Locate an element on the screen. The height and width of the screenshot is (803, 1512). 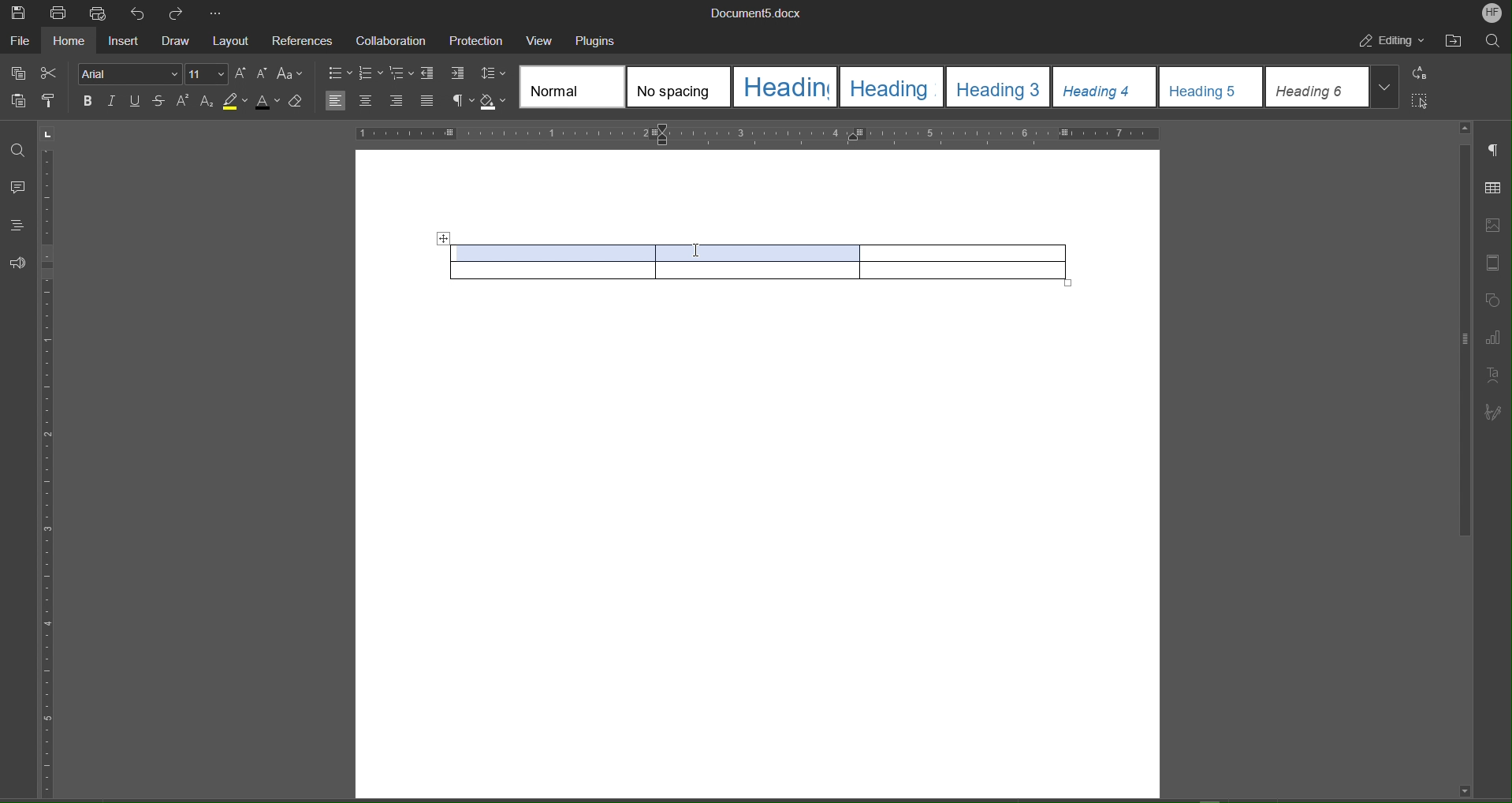
Text Case Settings is located at coordinates (292, 73).